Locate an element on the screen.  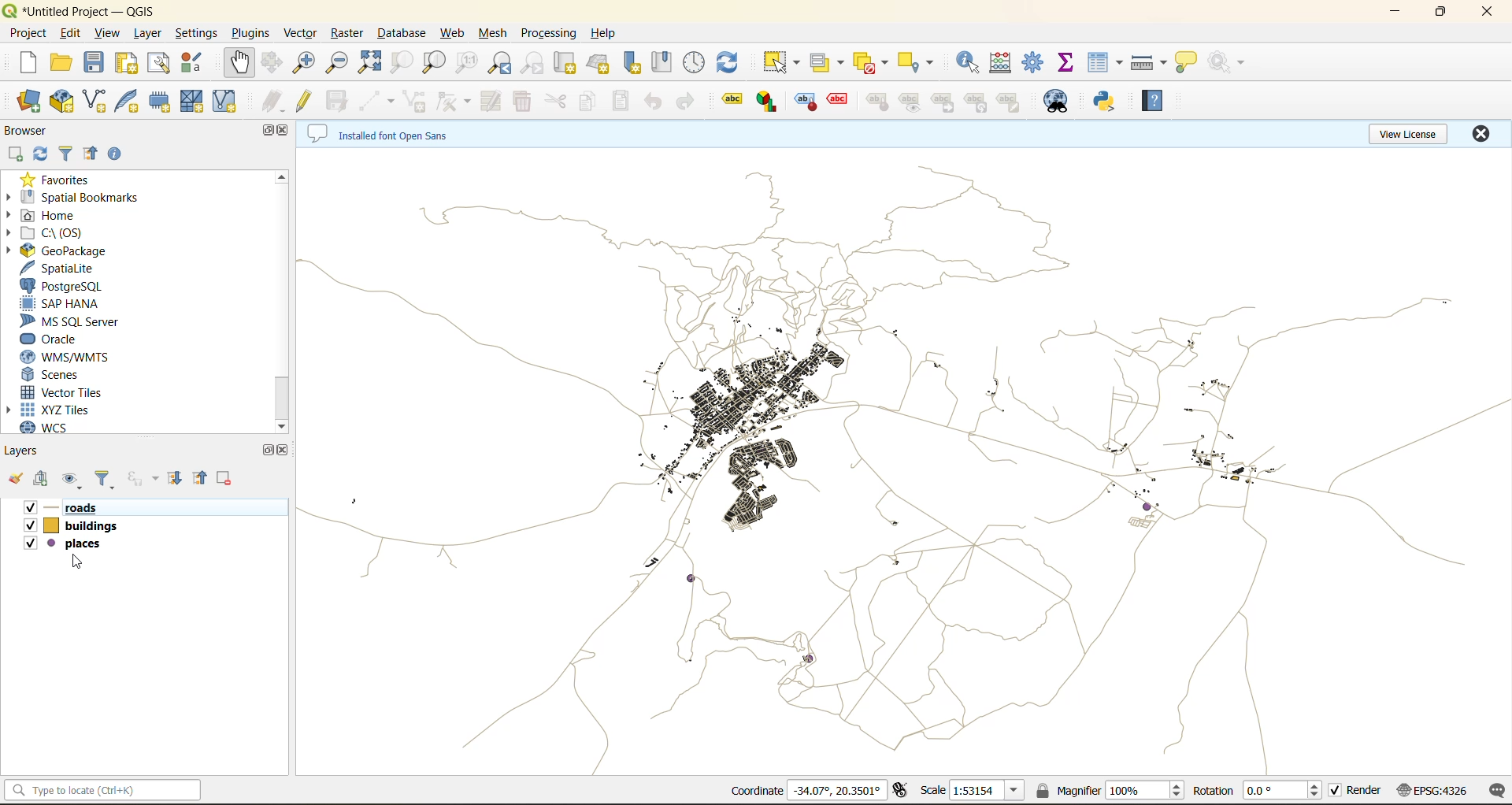
cut is located at coordinates (558, 102).